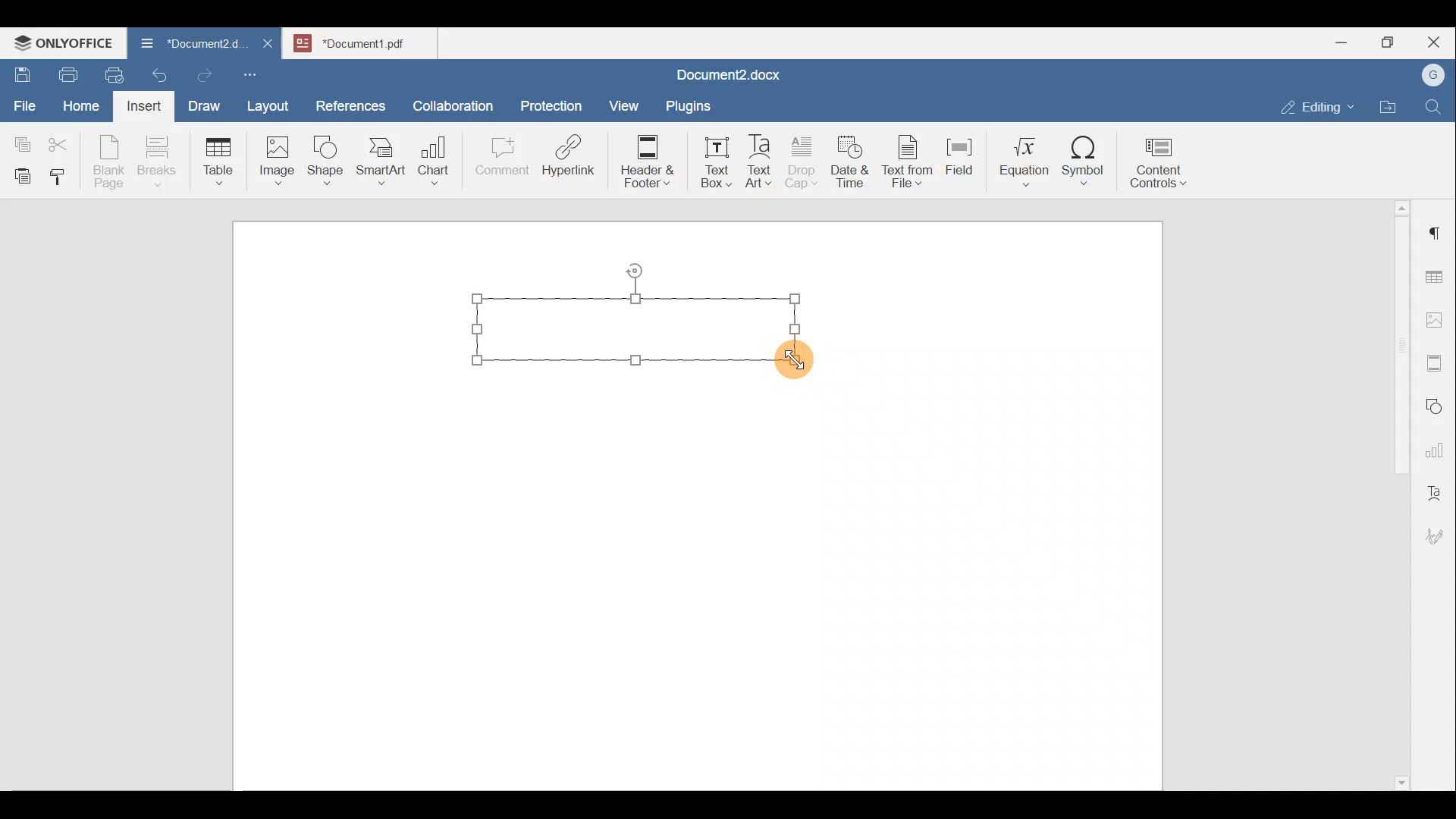  Describe the element at coordinates (693, 104) in the screenshot. I see `Plugins` at that location.